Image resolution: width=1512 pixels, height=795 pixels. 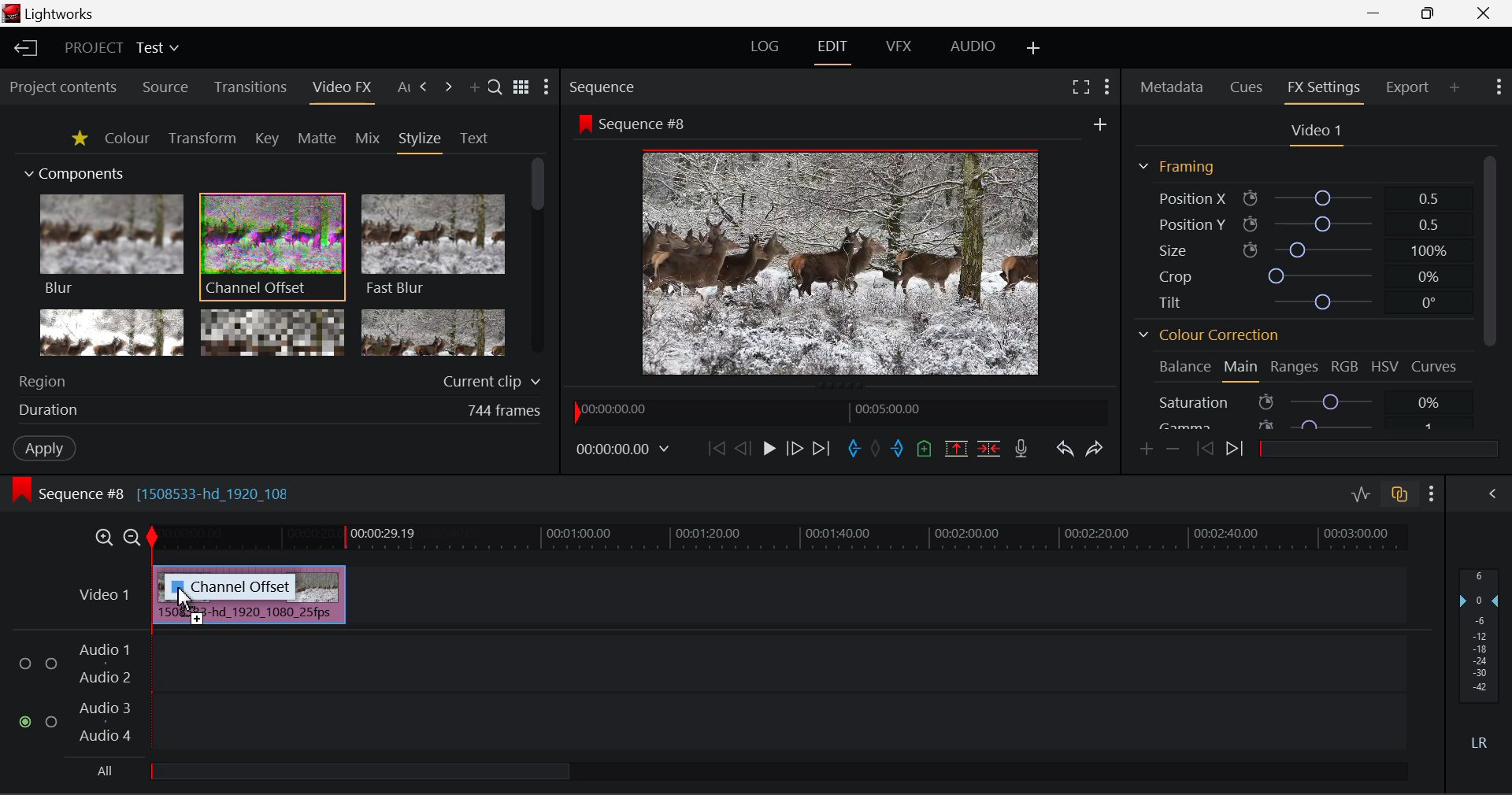 I want to click on Blur, so click(x=110, y=246).